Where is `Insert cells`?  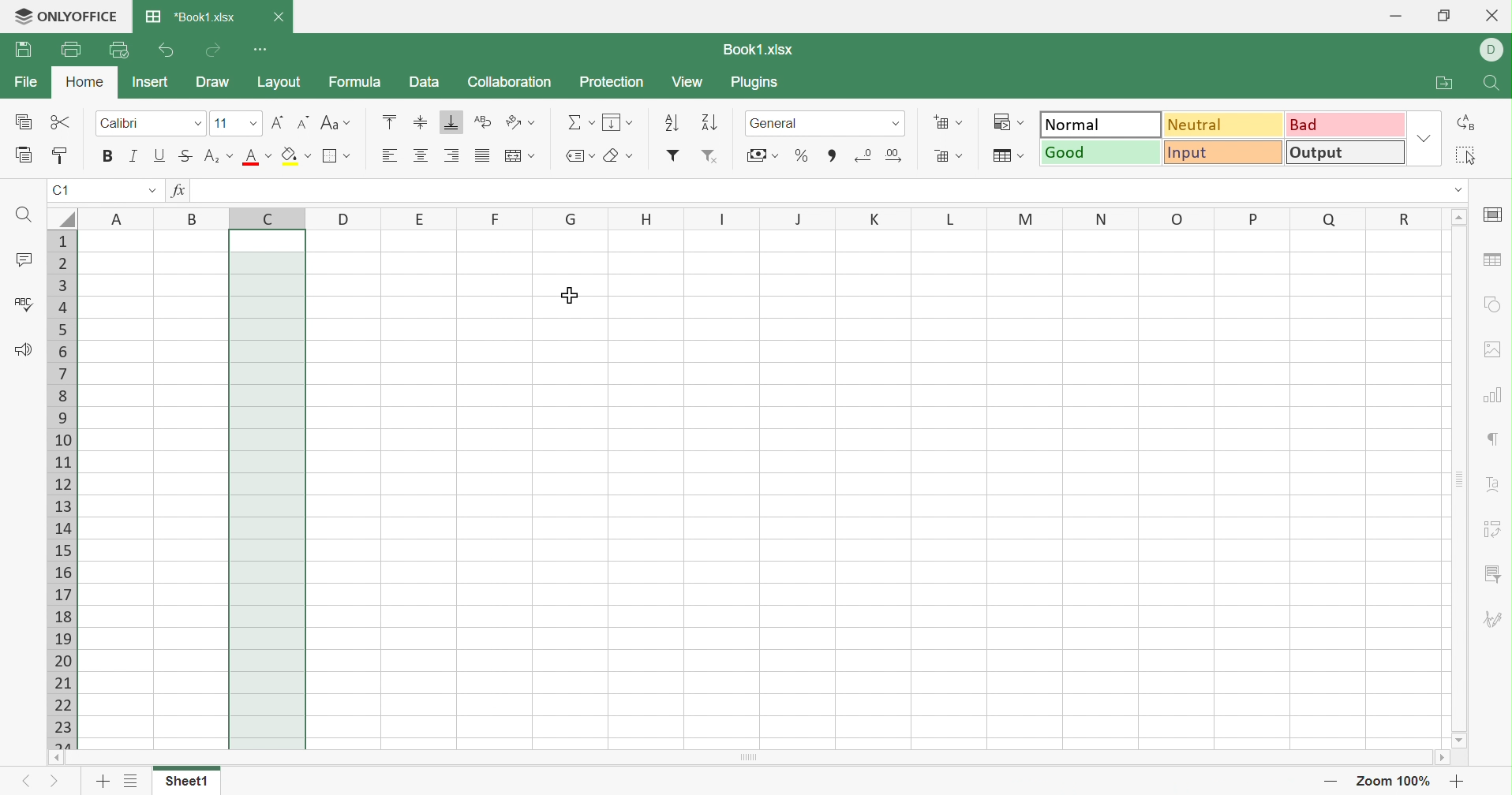
Insert cells is located at coordinates (938, 121).